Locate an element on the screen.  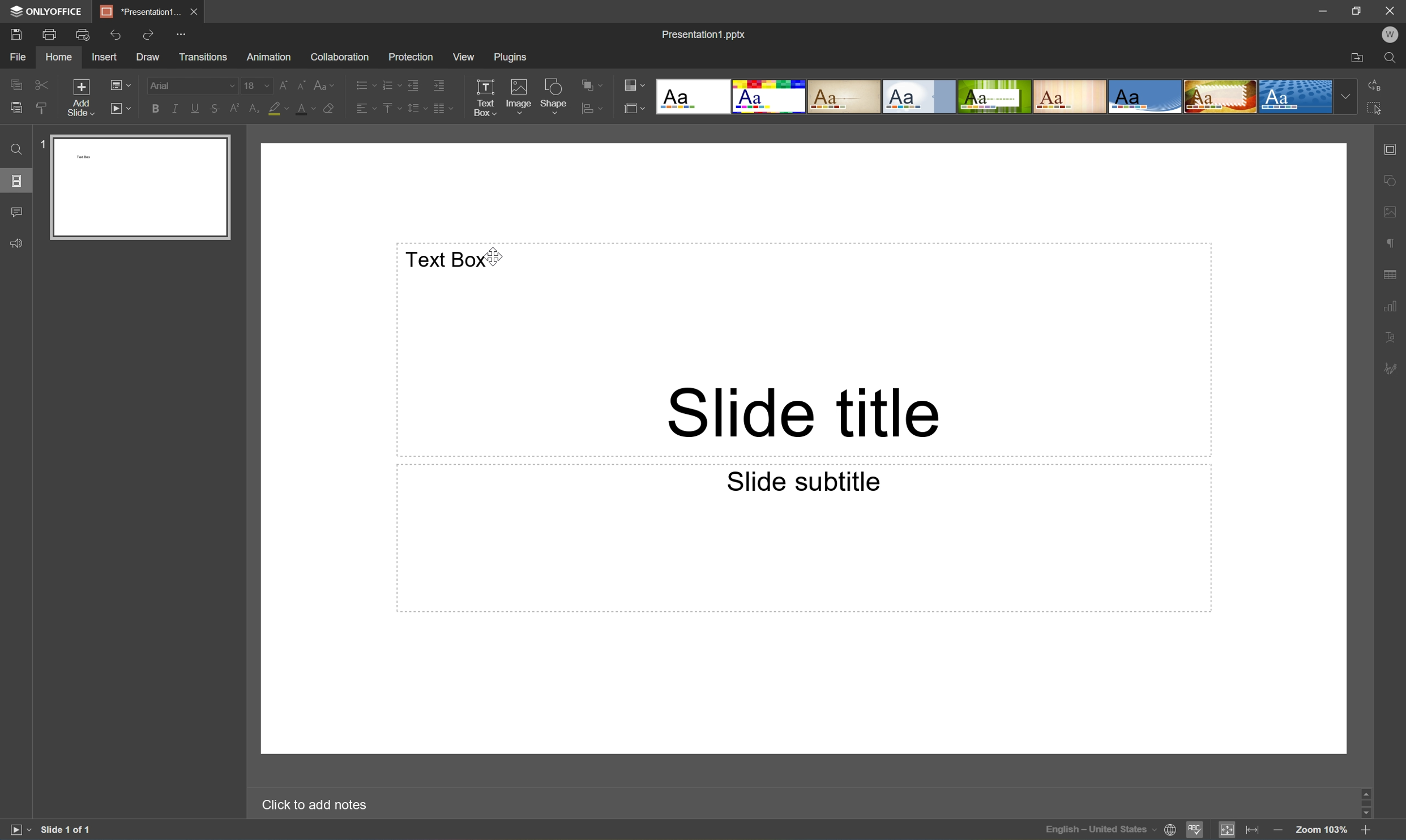
Font is located at coordinates (190, 87).